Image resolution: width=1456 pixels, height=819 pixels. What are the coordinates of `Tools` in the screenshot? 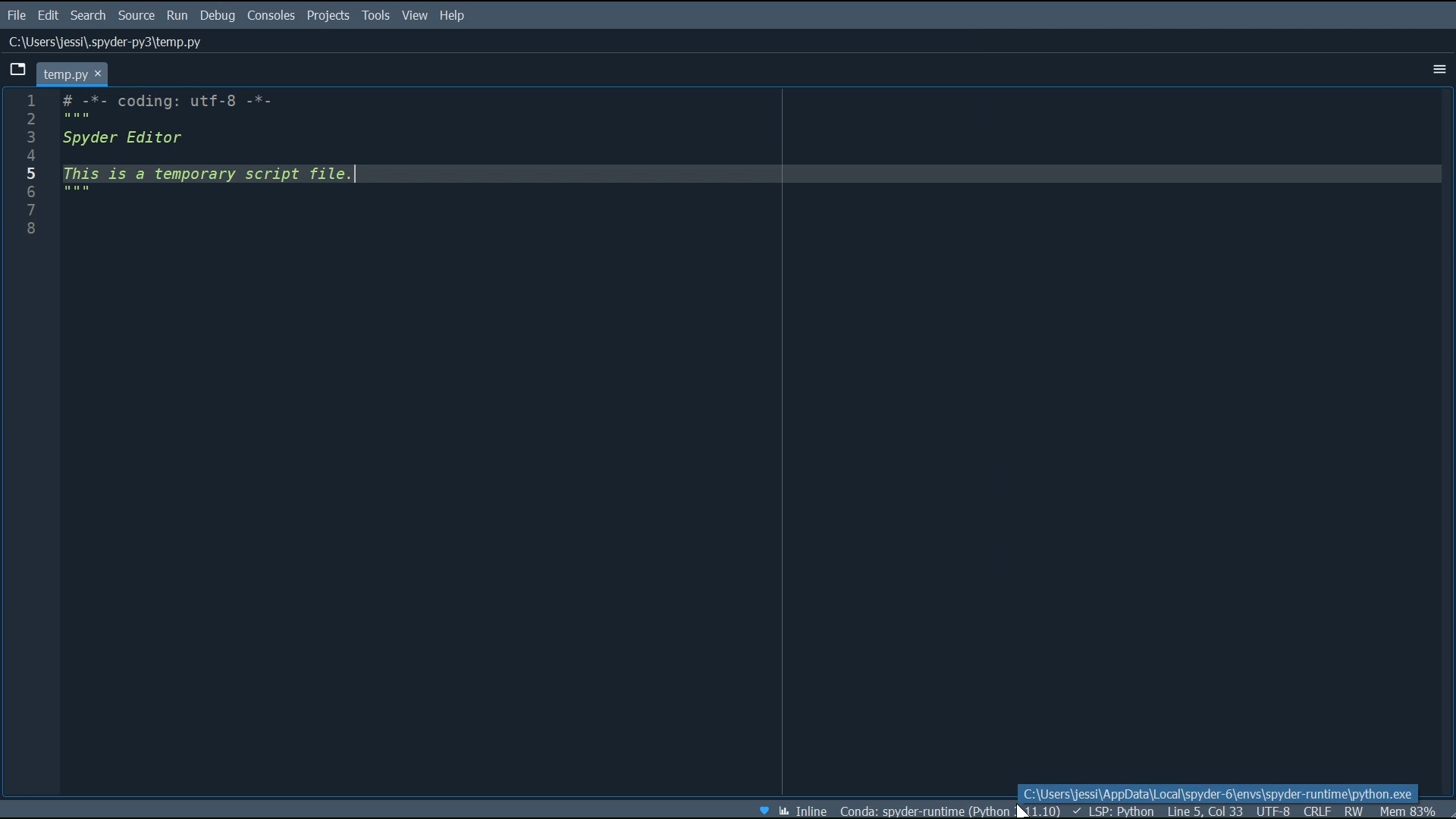 It's located at (375, 16).